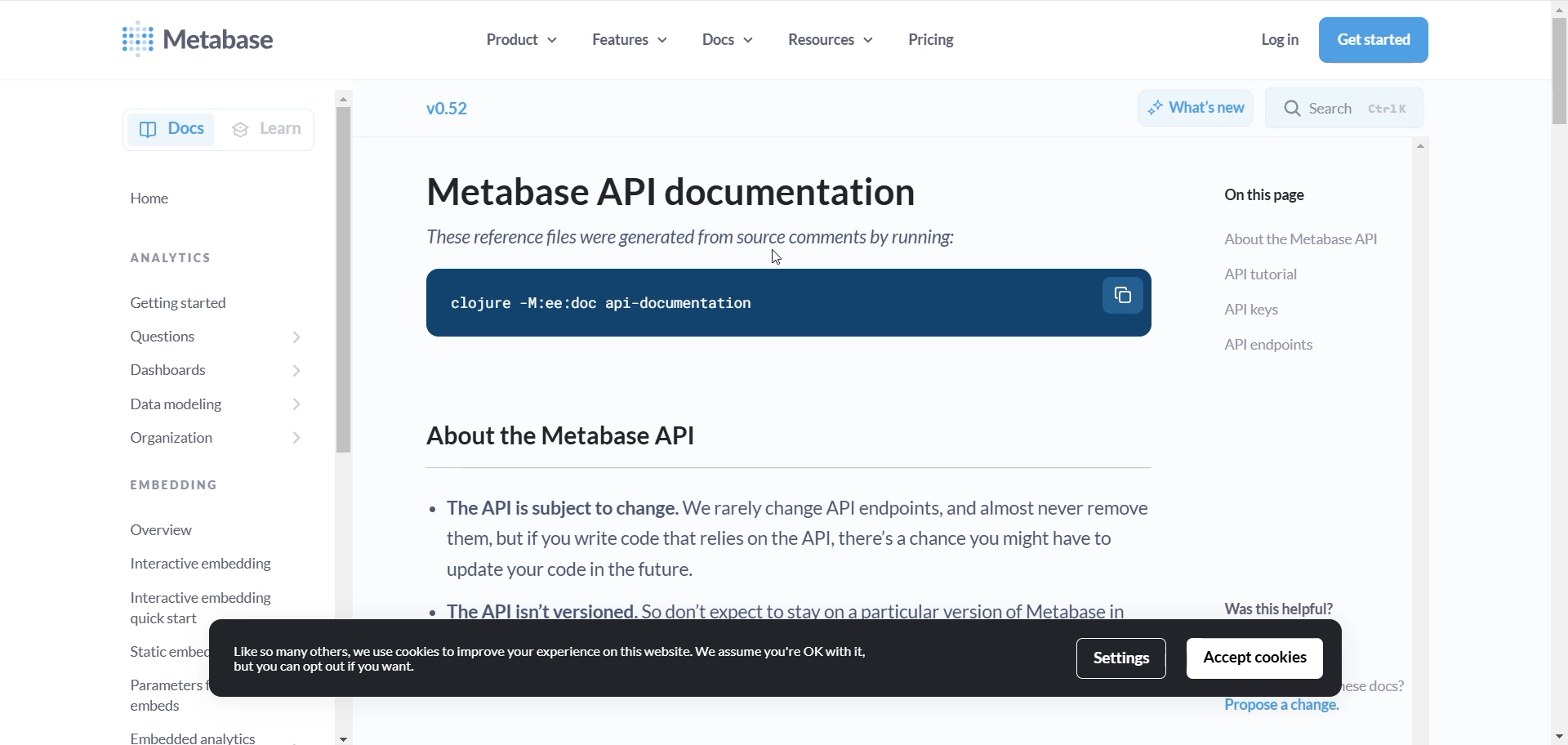  I want to click on code, so click(763, 303).